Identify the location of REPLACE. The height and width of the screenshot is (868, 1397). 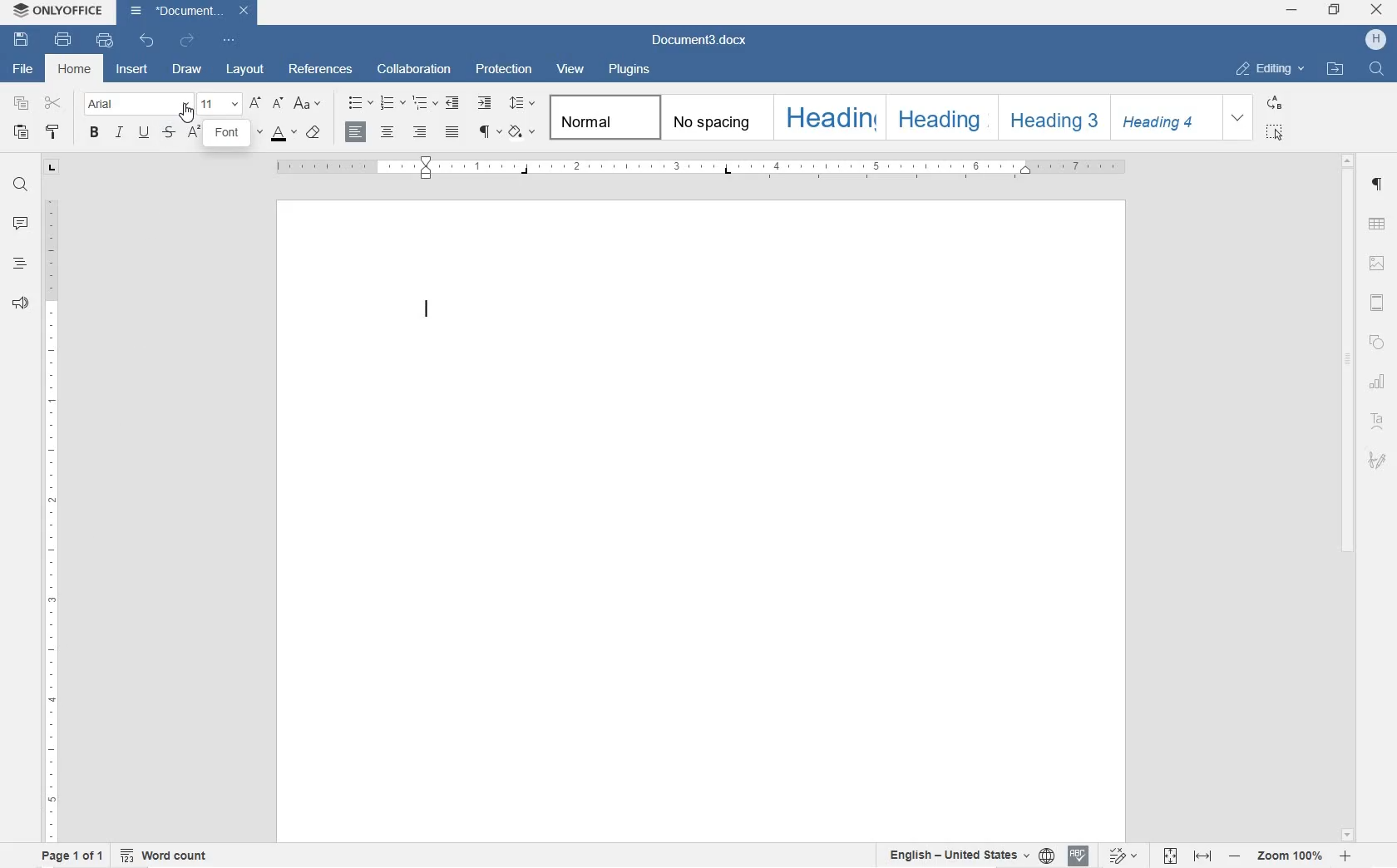
(1276, 103).